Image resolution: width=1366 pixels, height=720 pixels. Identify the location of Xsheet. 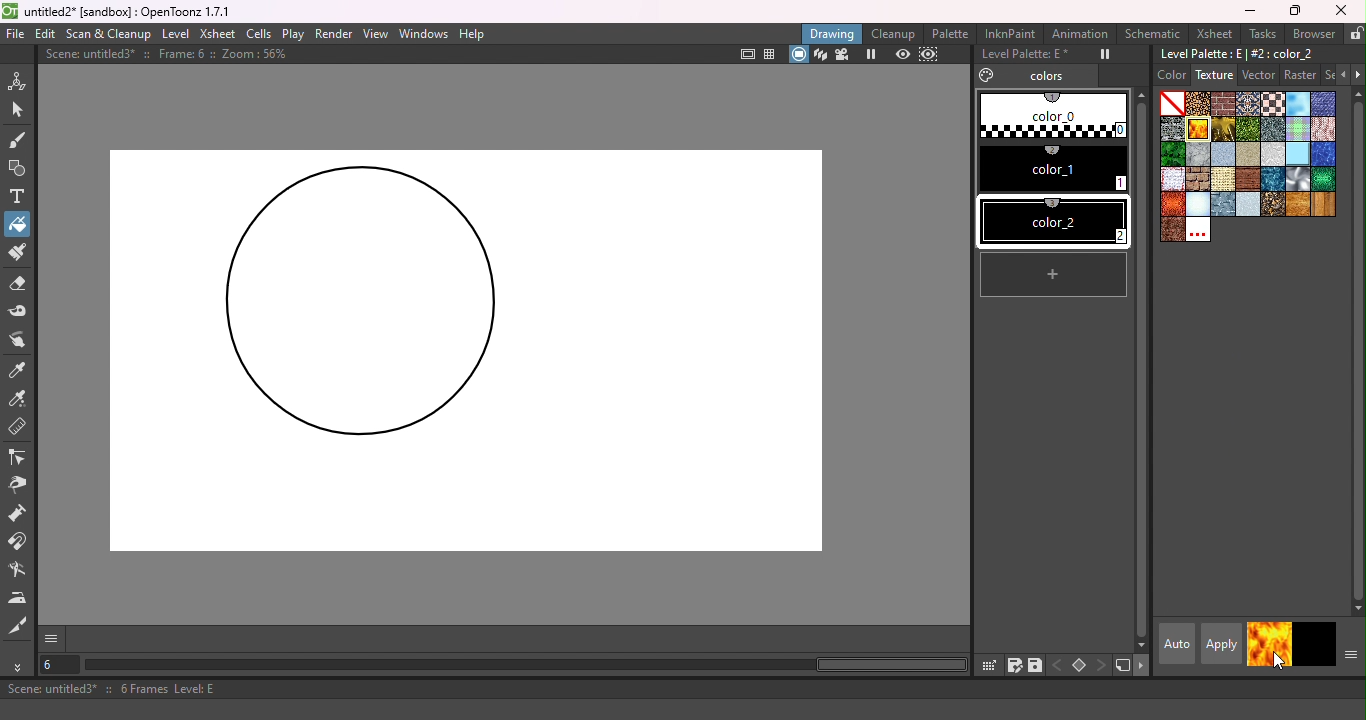
(218, 34).